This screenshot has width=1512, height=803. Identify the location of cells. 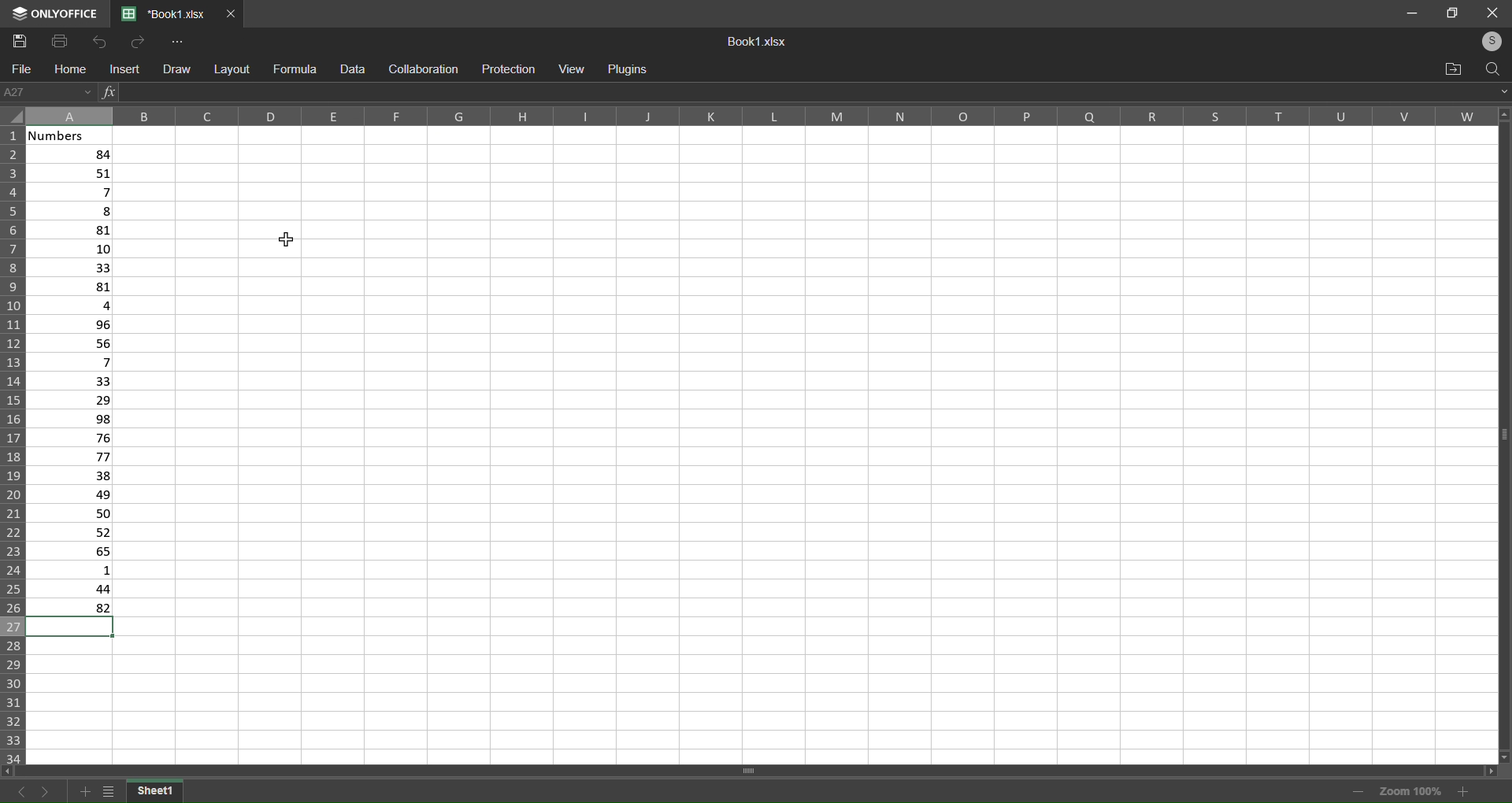
(805, 441).